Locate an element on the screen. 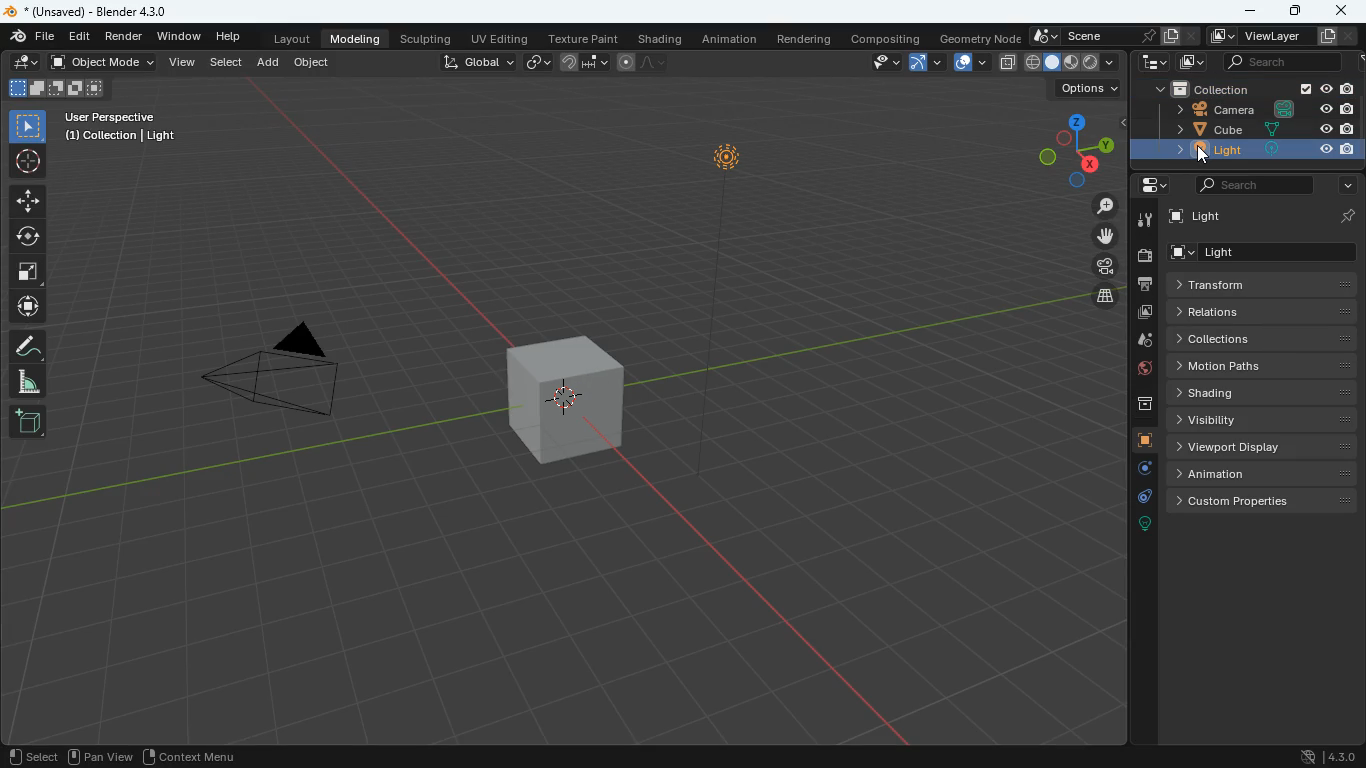 This screenshot has width=1366, height=768. edit is located at coordinates (84, 37).